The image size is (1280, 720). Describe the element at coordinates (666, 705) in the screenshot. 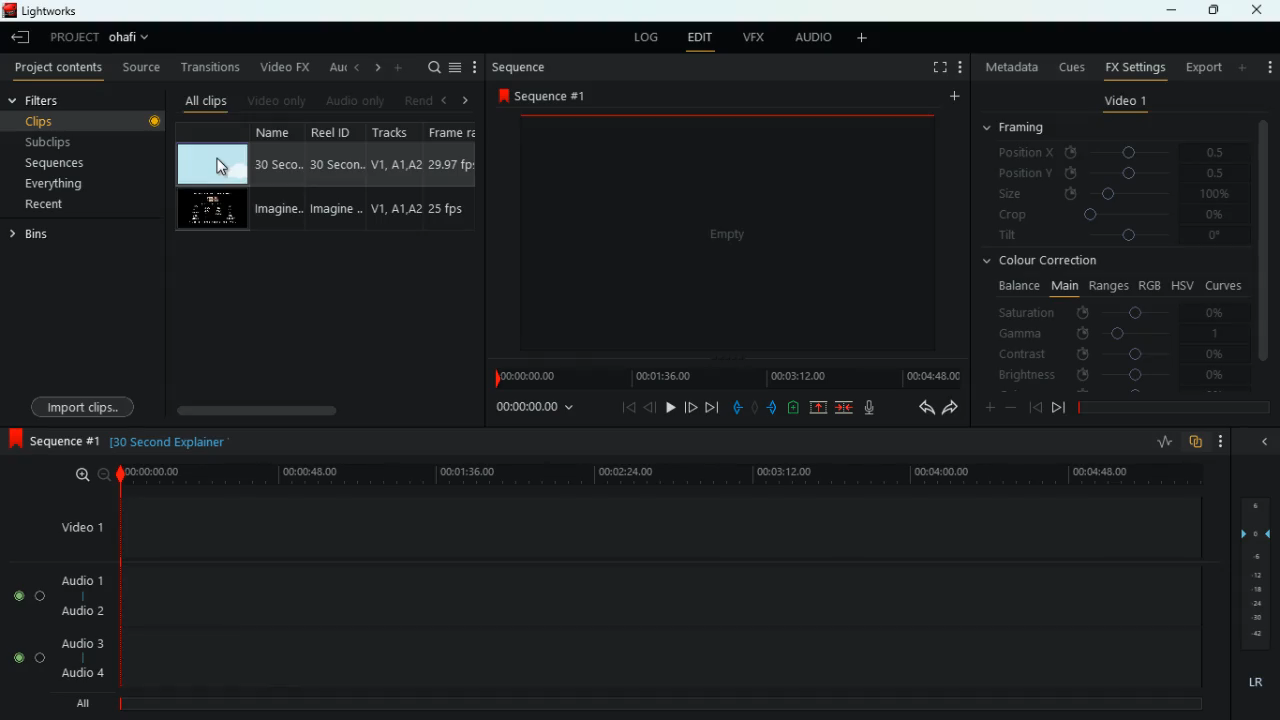

I see `timeline` at that location.